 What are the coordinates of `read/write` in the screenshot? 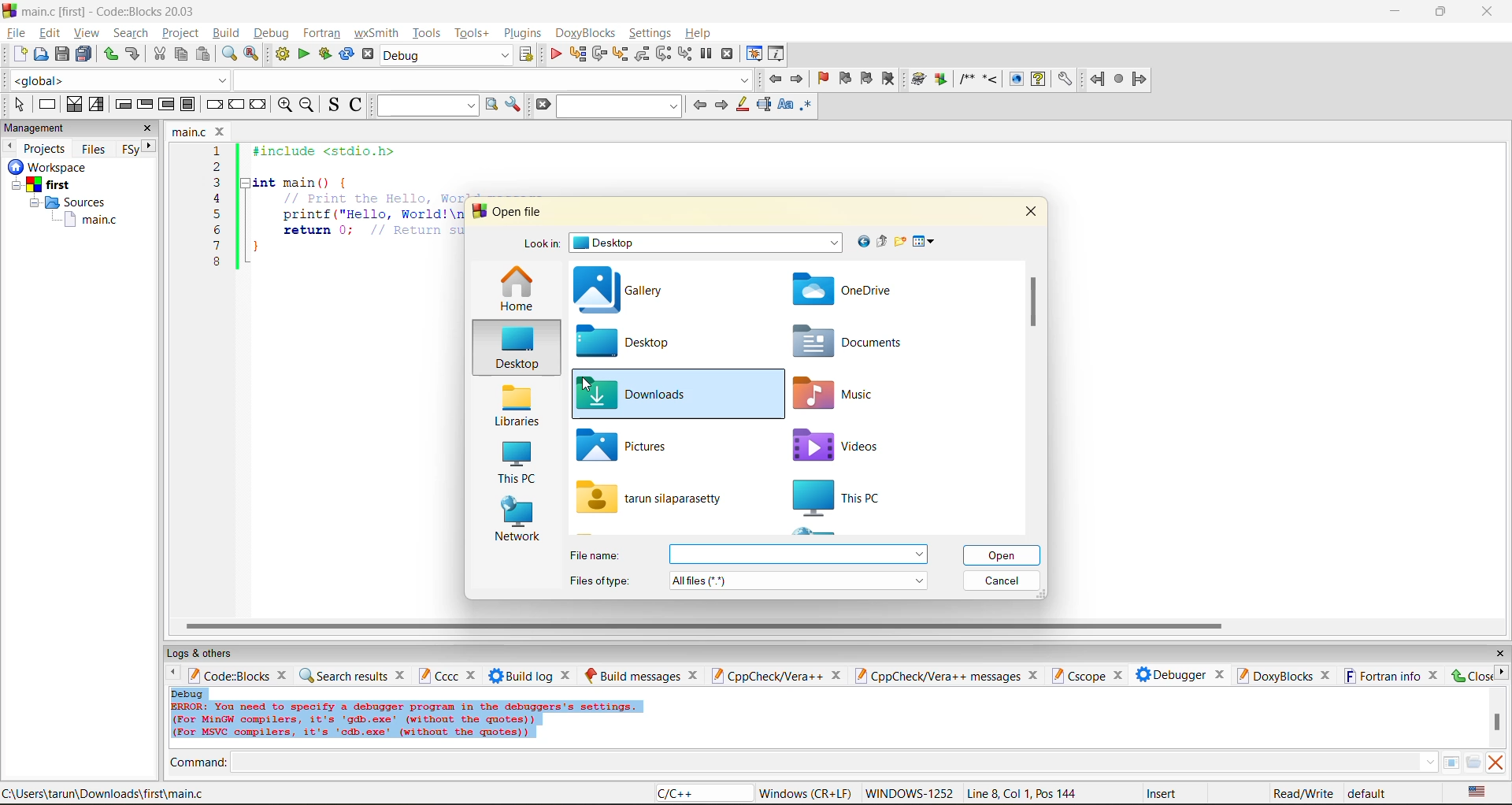 It's located at (1303, 793).